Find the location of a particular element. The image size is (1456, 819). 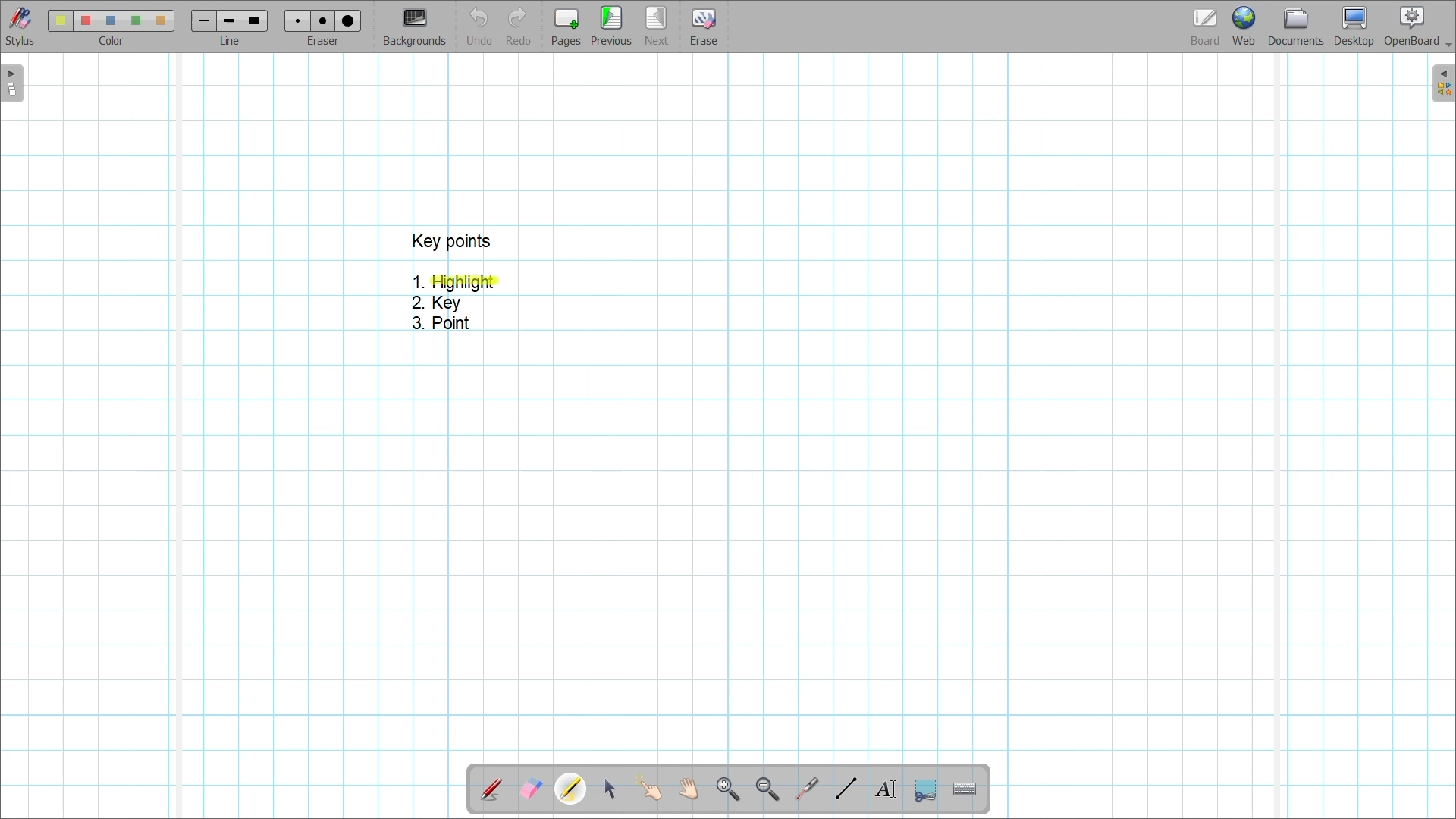

line 2 is located at coordinates (227, 21).